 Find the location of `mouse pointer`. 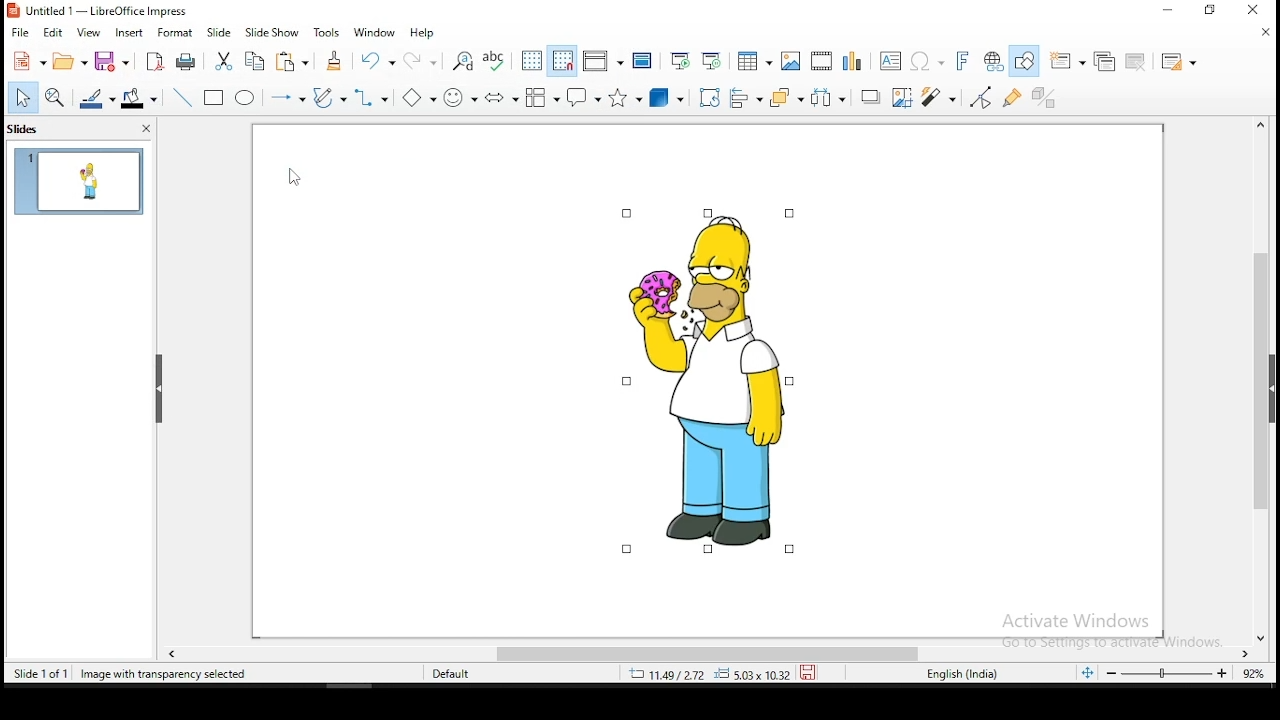

mouse pointer is located at coordinates (291, 183).